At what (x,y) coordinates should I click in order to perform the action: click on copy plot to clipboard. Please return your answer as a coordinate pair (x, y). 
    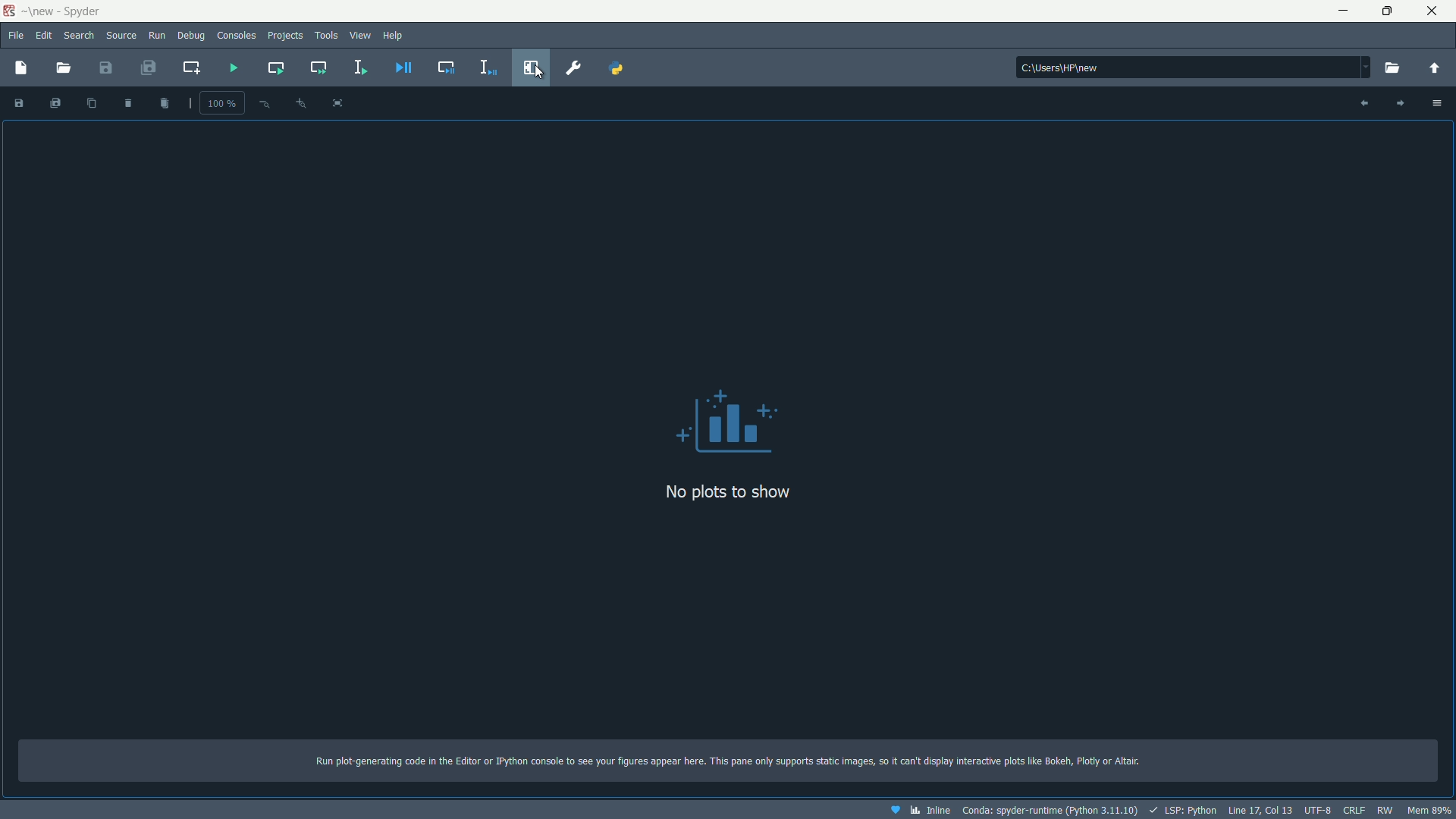
    Looking at the image, I should click on (89, 102).